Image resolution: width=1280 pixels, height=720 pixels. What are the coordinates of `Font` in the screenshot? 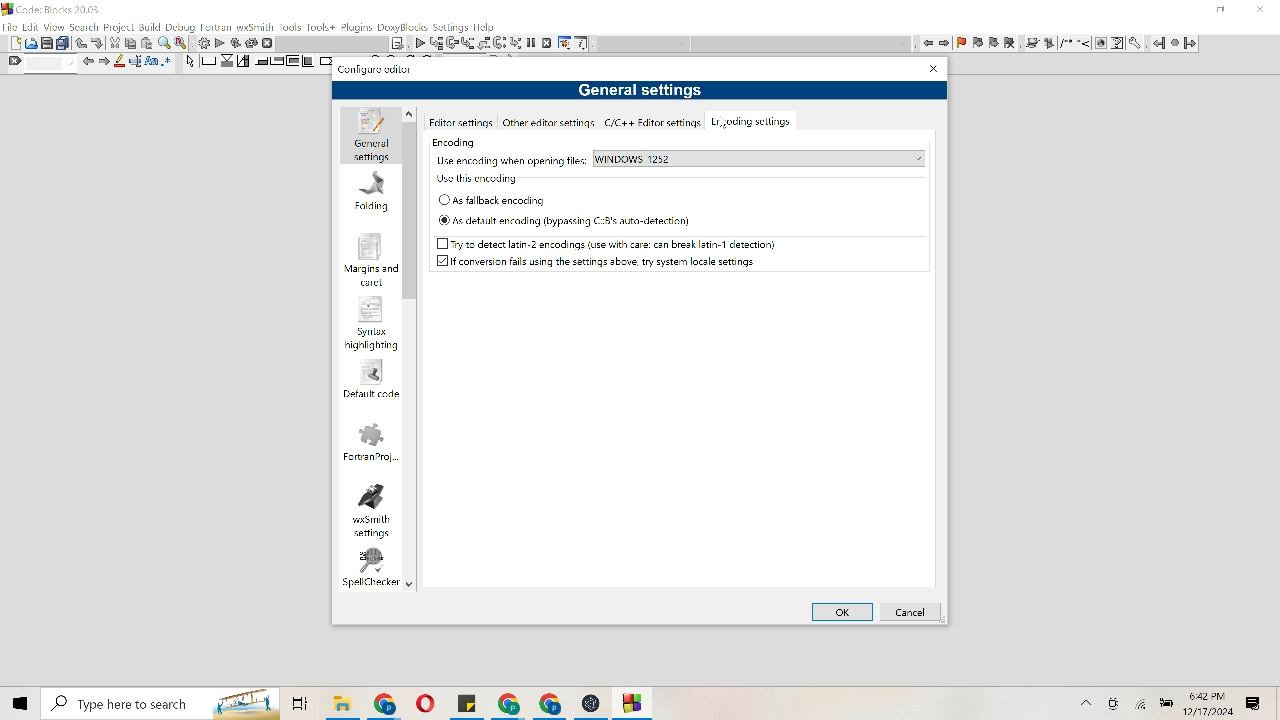 It's located at (153, 62).